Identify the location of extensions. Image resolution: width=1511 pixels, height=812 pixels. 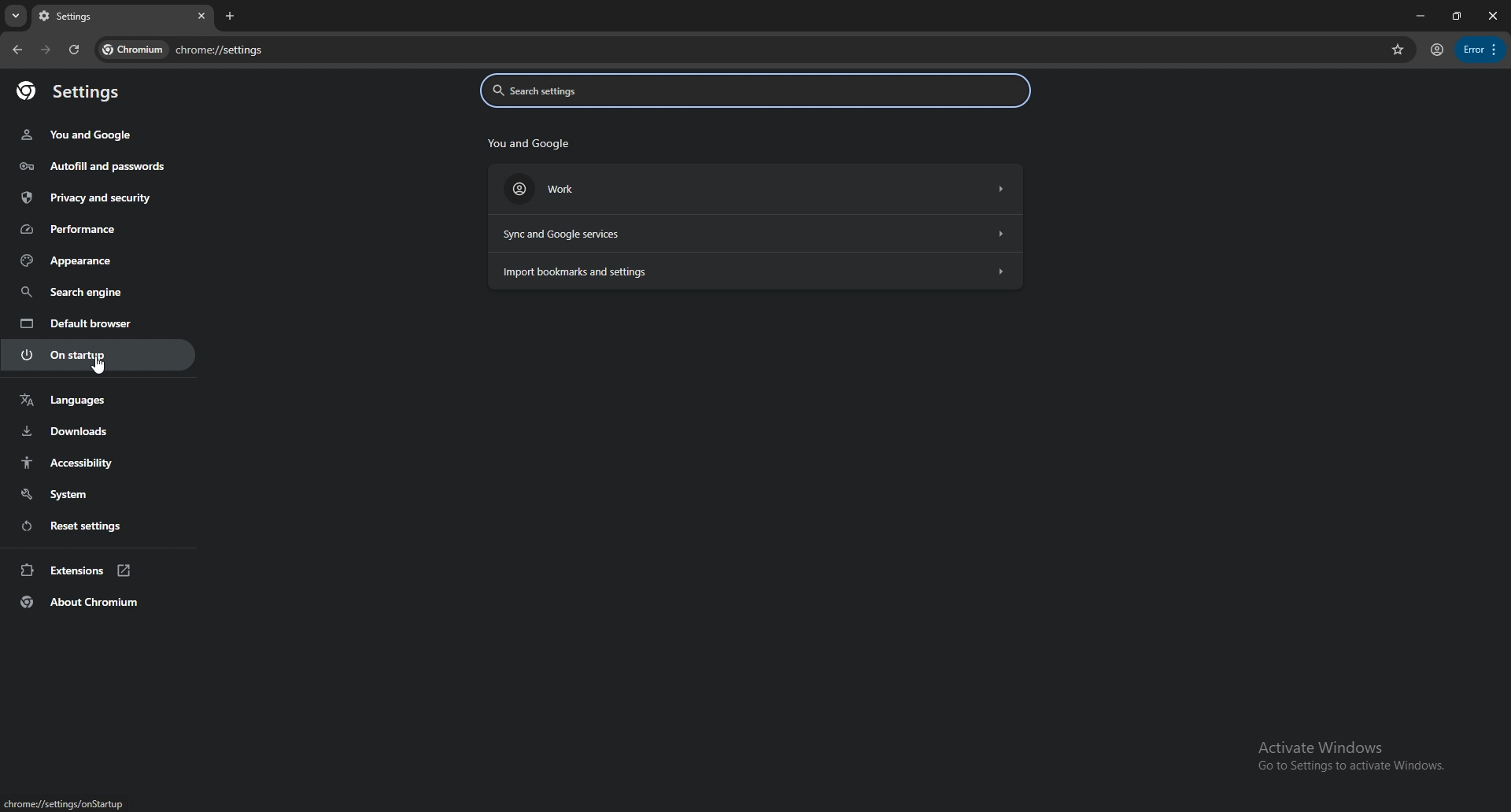
(99, 570).